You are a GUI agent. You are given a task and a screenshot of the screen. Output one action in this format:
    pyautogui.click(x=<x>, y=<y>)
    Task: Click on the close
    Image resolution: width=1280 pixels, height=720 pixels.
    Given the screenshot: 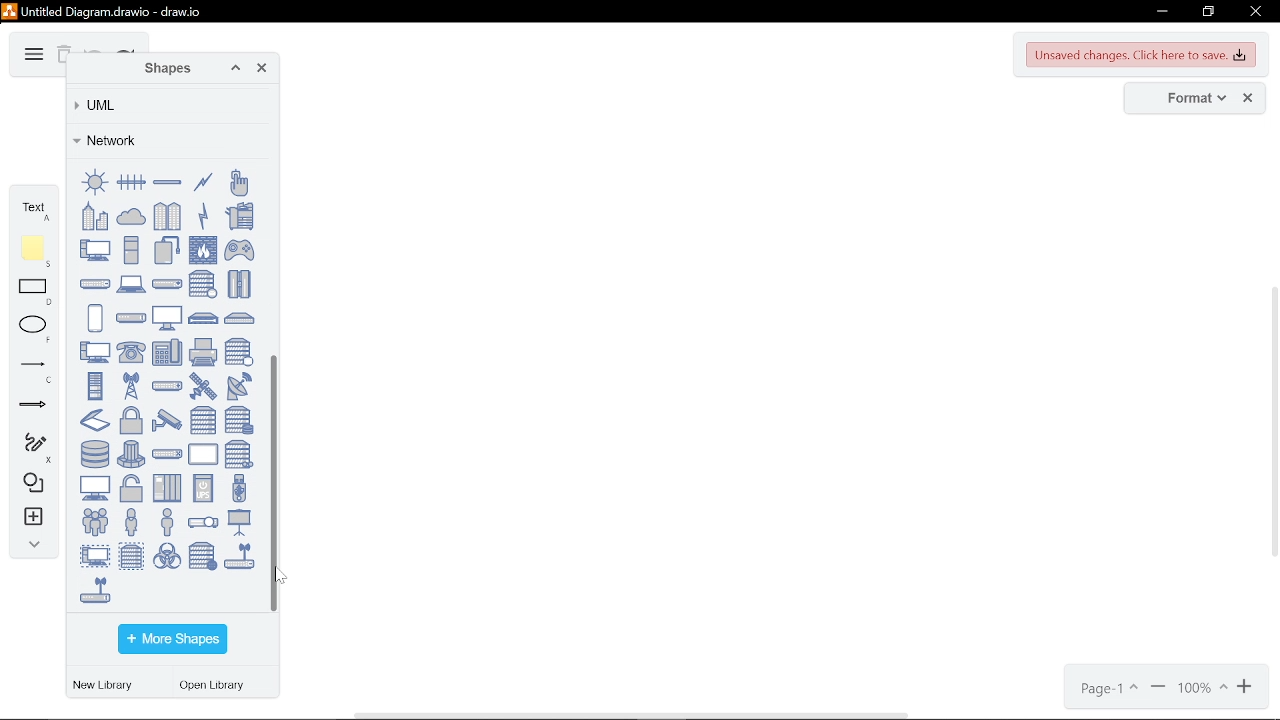 What is the action you would take?
    pyautogui.click(x=262, y=70)
    